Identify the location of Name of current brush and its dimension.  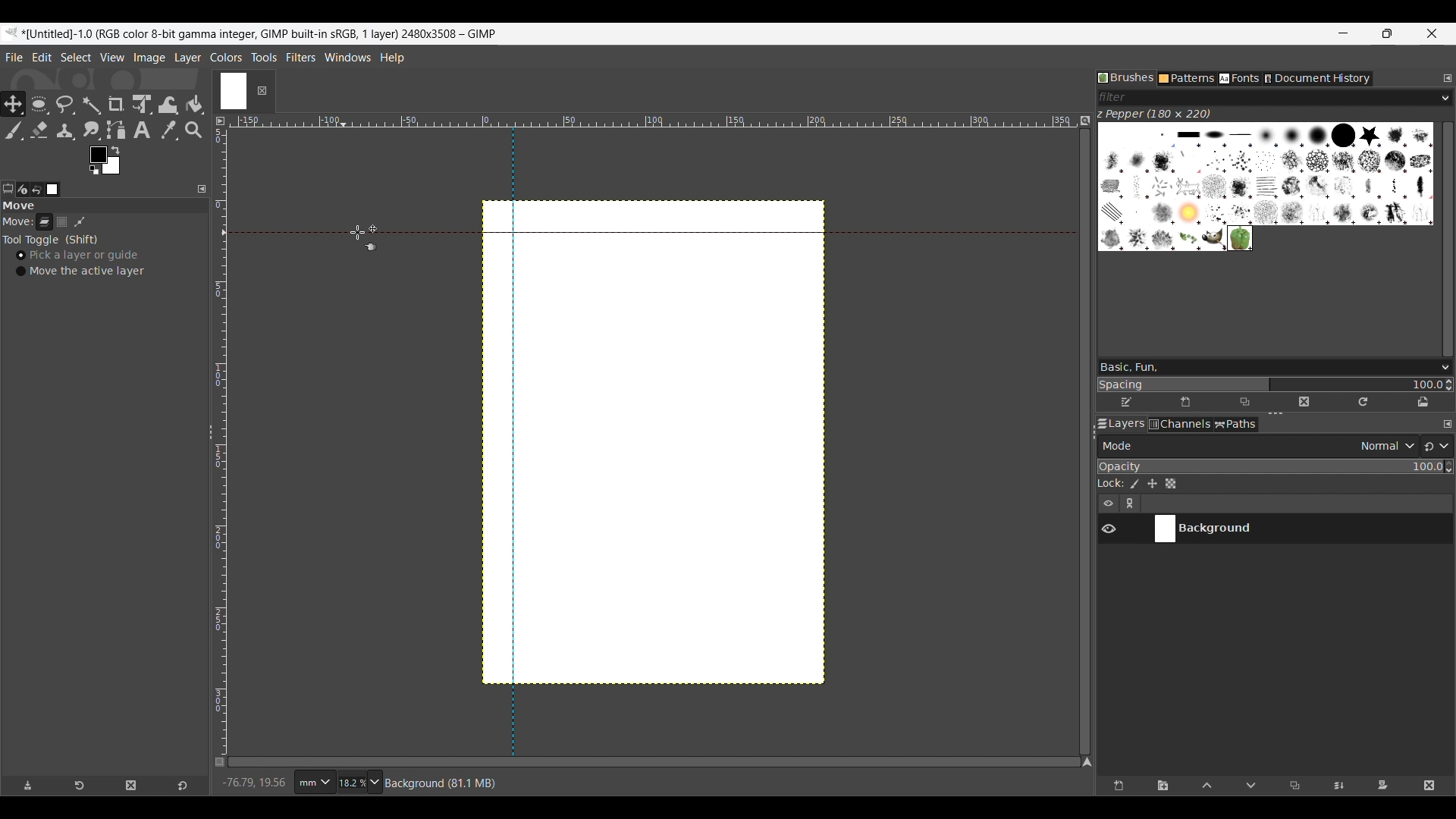
(1153, 115).